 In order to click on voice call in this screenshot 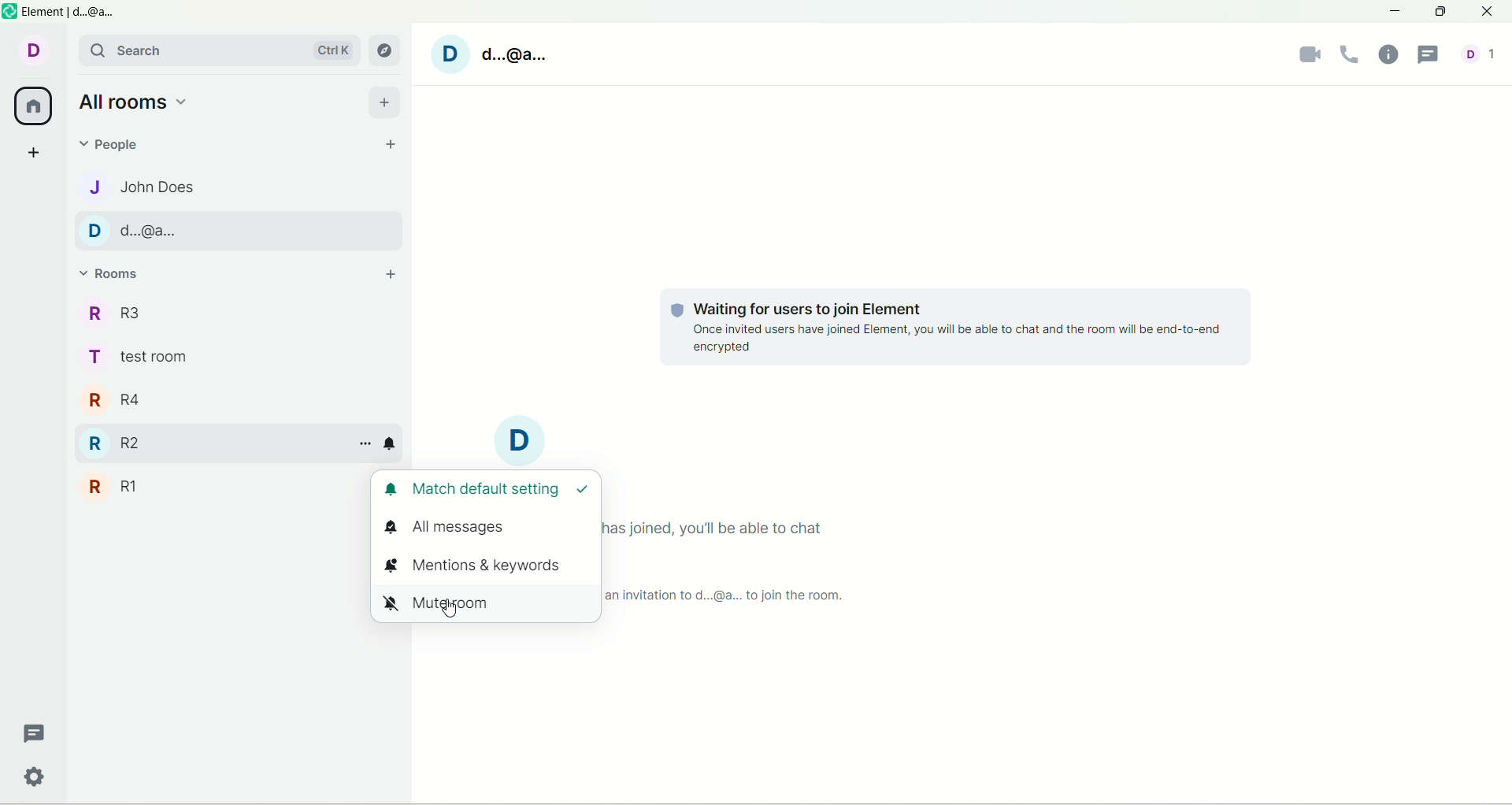, I will do `click(1352, 55)`.